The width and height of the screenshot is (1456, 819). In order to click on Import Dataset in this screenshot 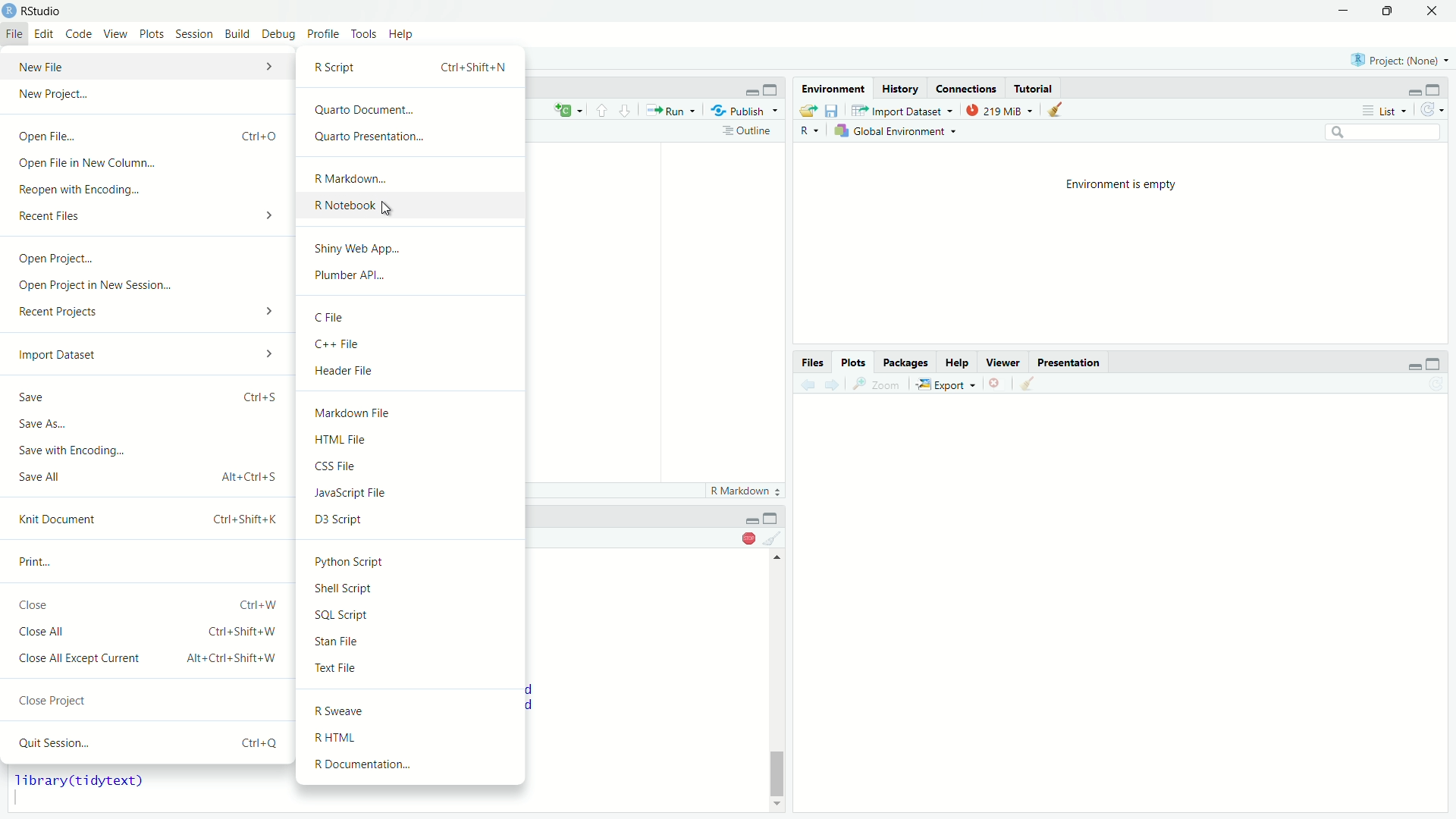, I will do `click(146, 354)`.